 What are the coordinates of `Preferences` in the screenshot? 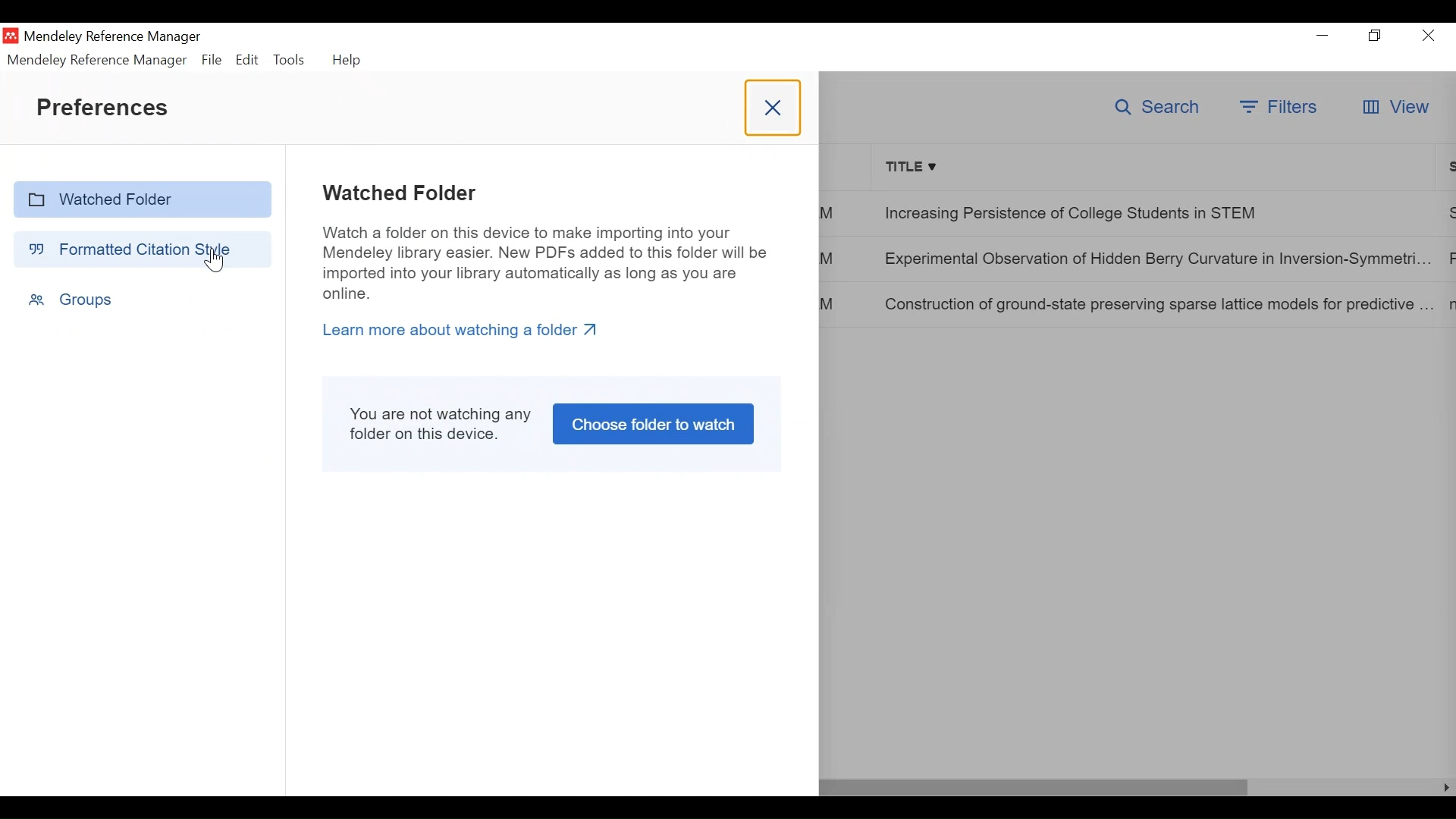 It's located at (104, 107).